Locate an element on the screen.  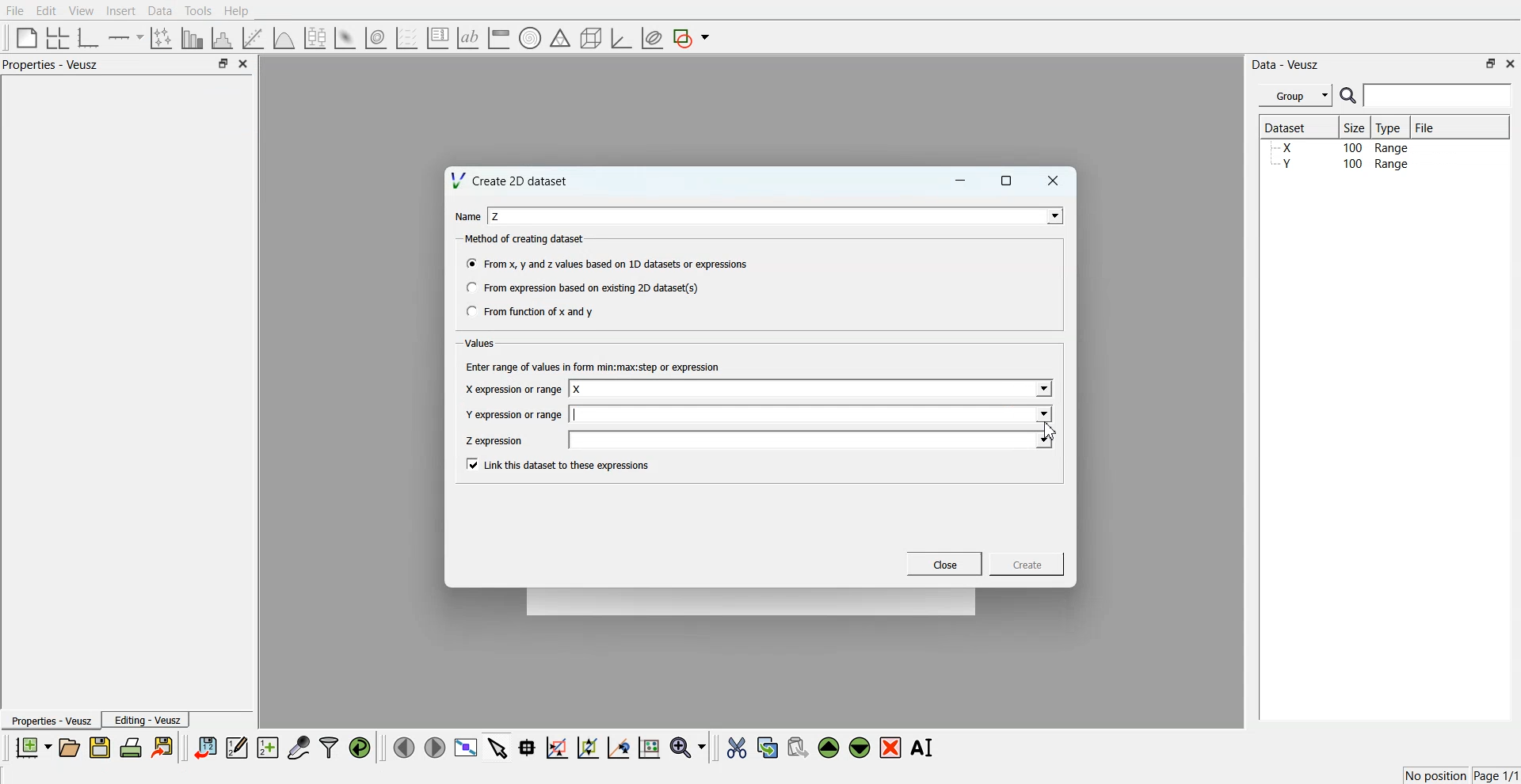
}  Zexpression is located at coordinates (496, 441).